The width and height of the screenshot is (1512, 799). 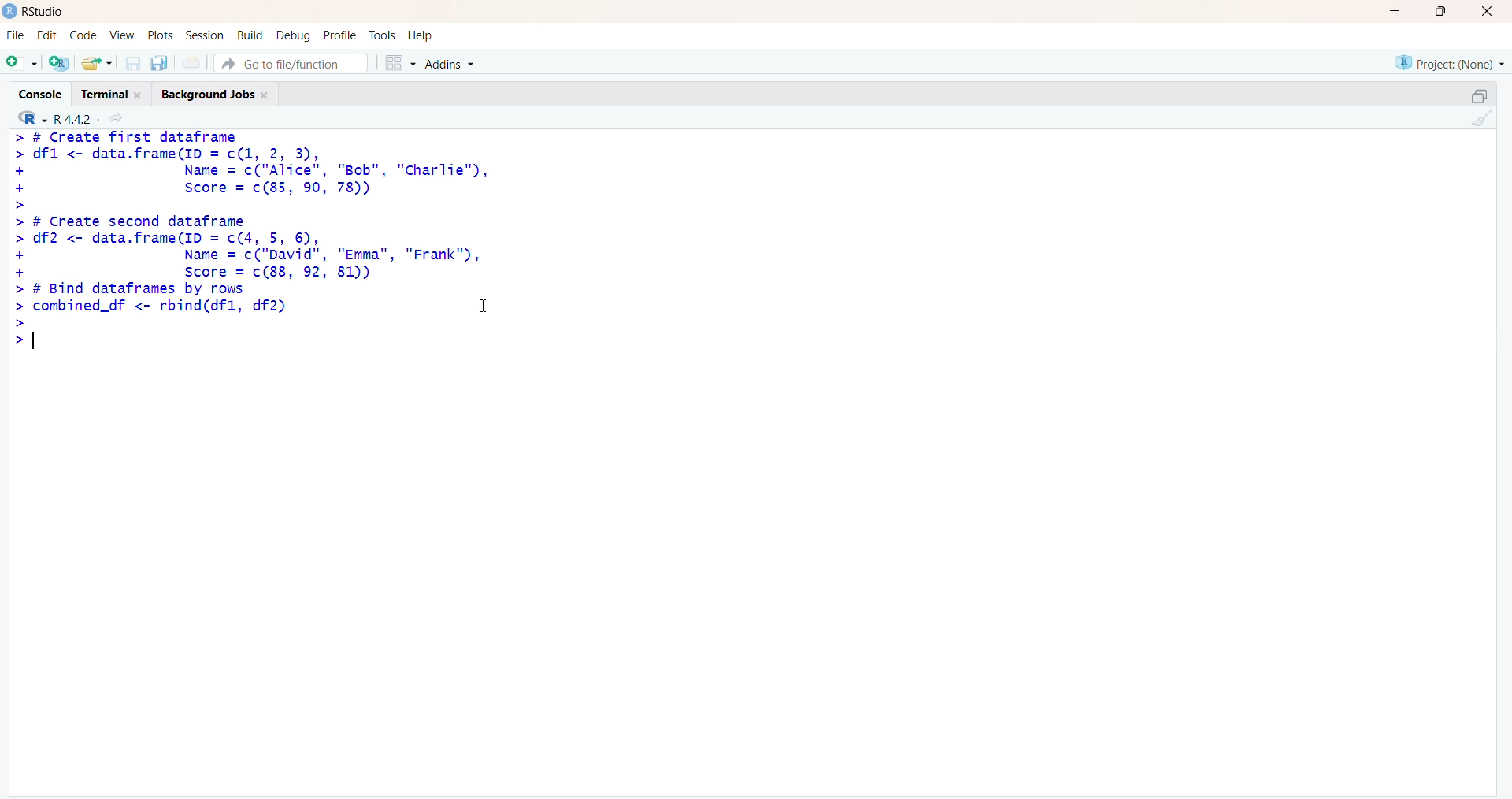 What do you see at coordinates (119, 35) in the screenshot?
I see `View` at bounding box center [119, 35].